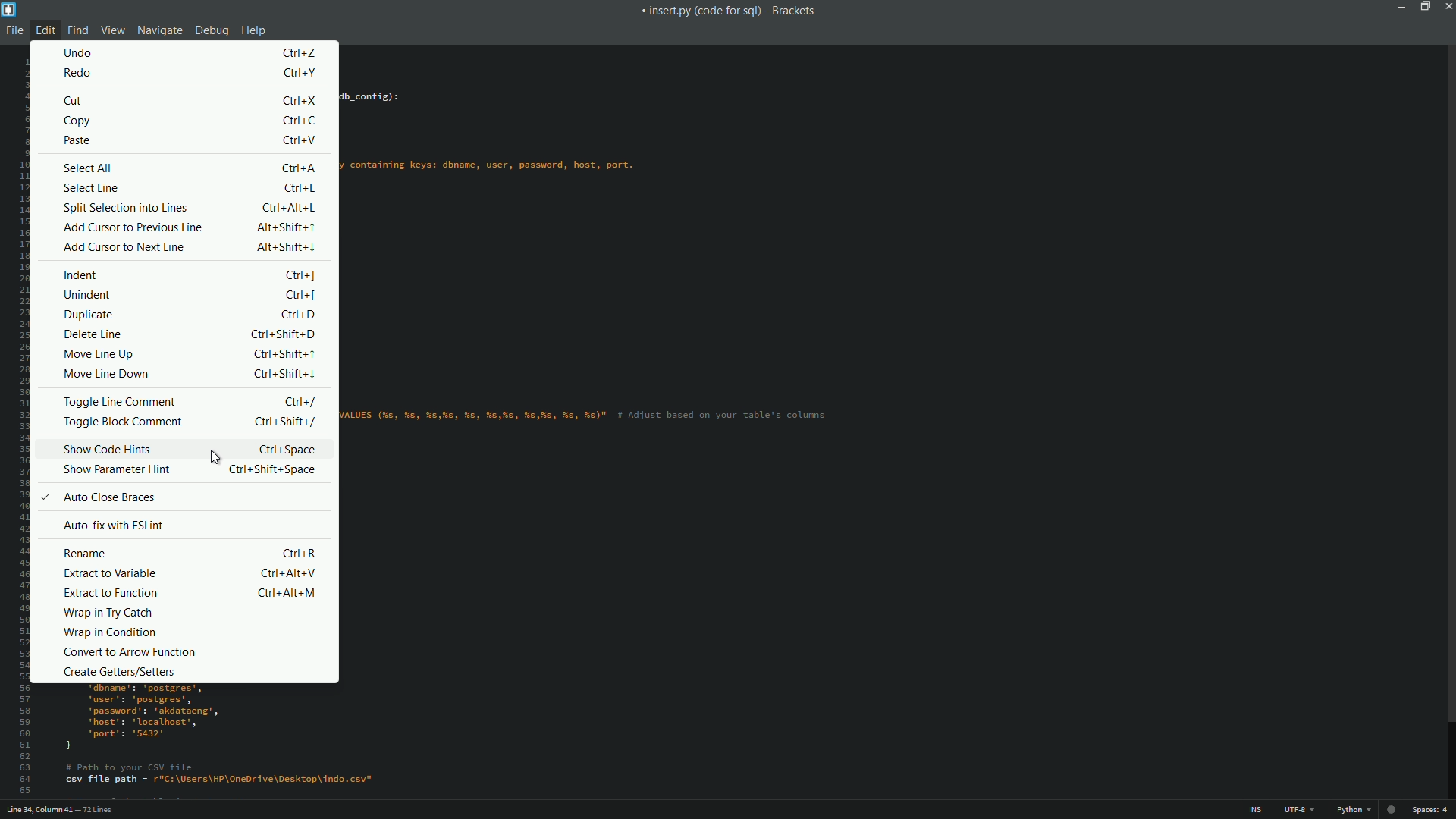 This screenshot has width=1456, height=819. Describe the element at coordinates (1393, 808) in the screenshot. I see `web` at that location.